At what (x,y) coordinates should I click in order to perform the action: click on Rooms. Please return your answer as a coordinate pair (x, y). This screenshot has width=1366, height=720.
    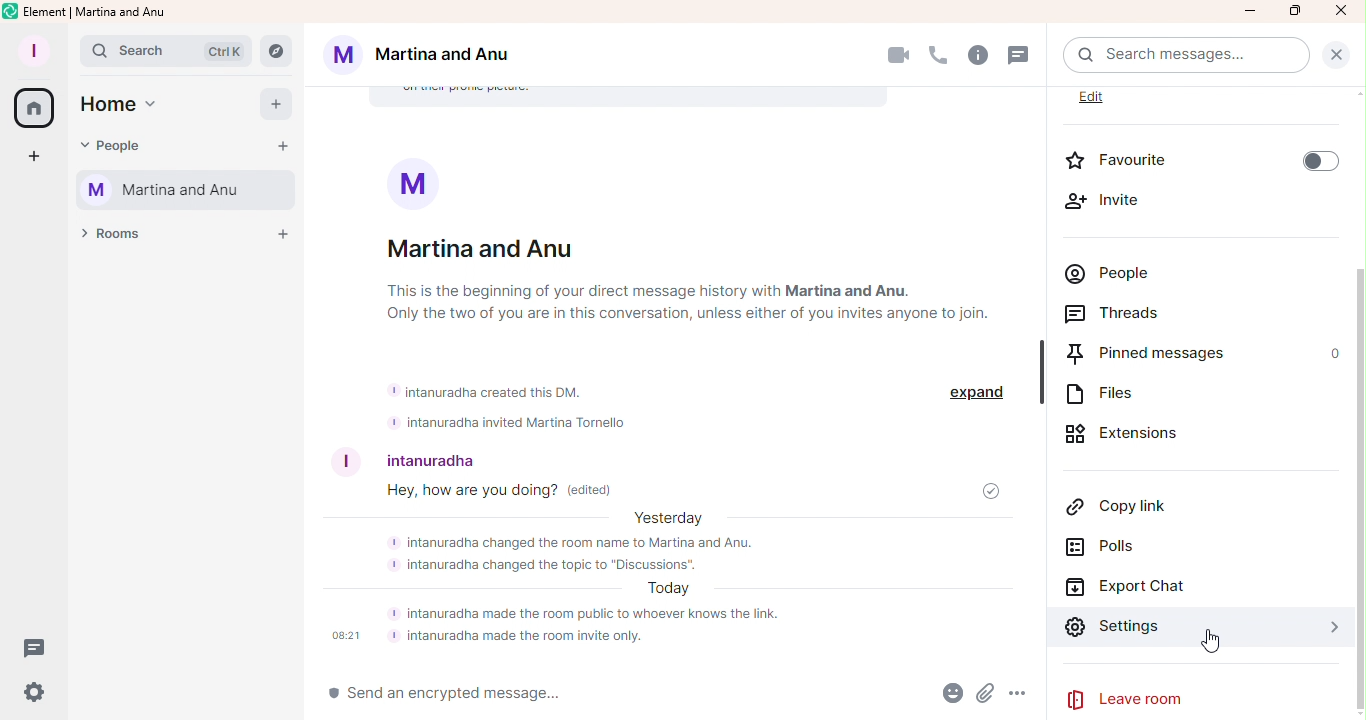
    Looking at the image, I should click on (118, 238).